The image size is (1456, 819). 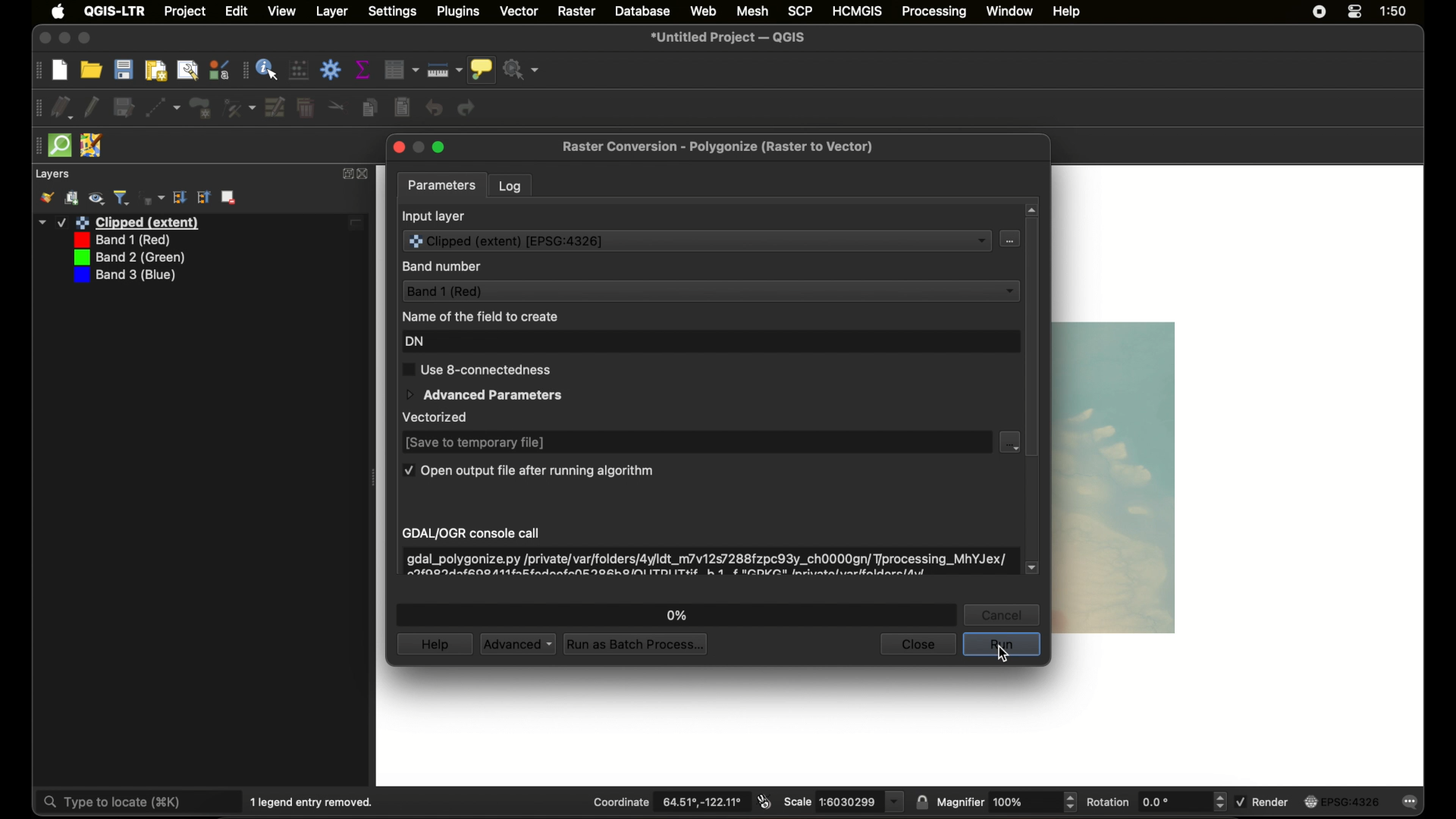 What do you see at coordinates (434, 108) in the screenshot?
I see `undo` at bounding box center [434, 108].